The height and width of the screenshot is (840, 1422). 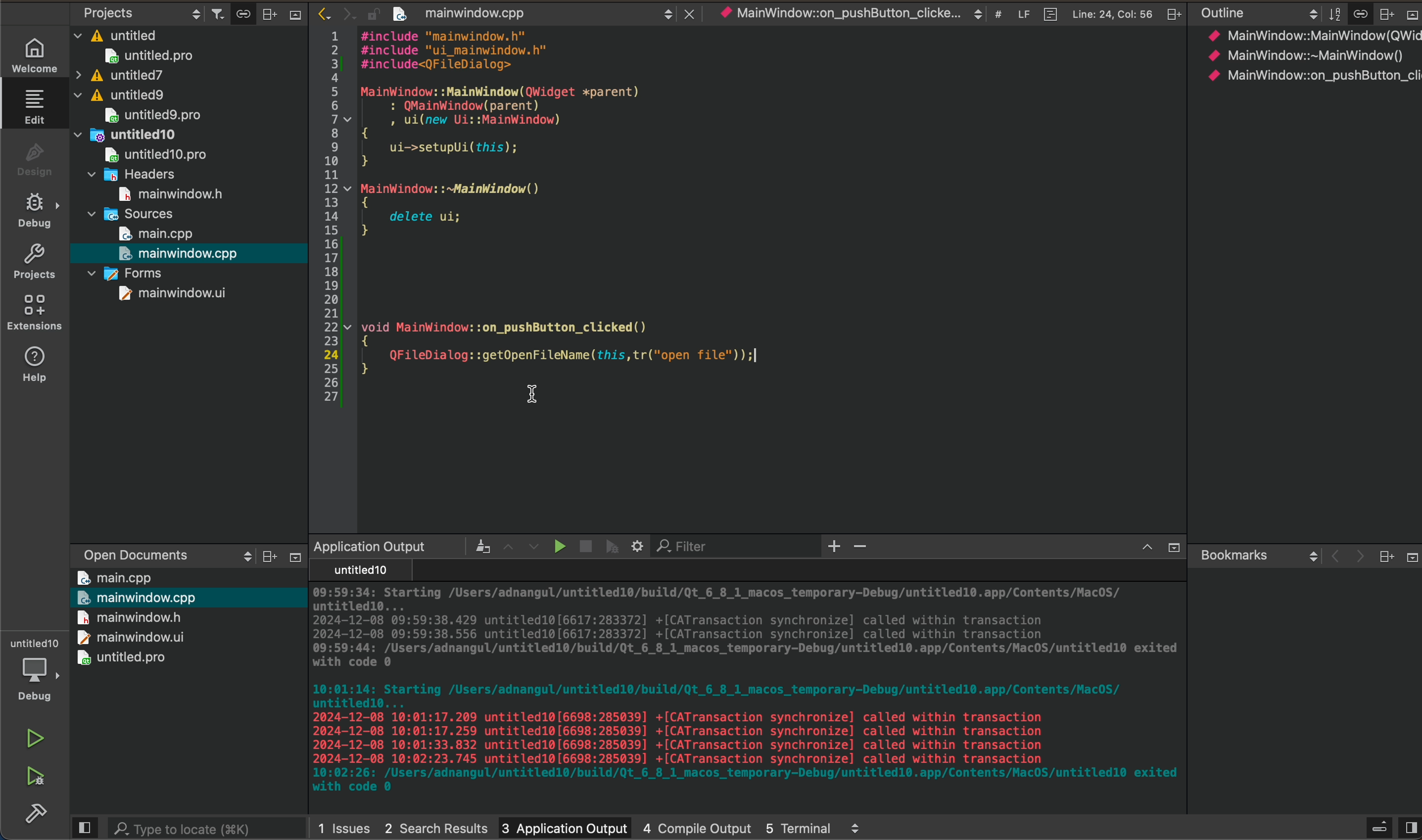 I want to click on 3 Application Output, so click(x=563, y=825).